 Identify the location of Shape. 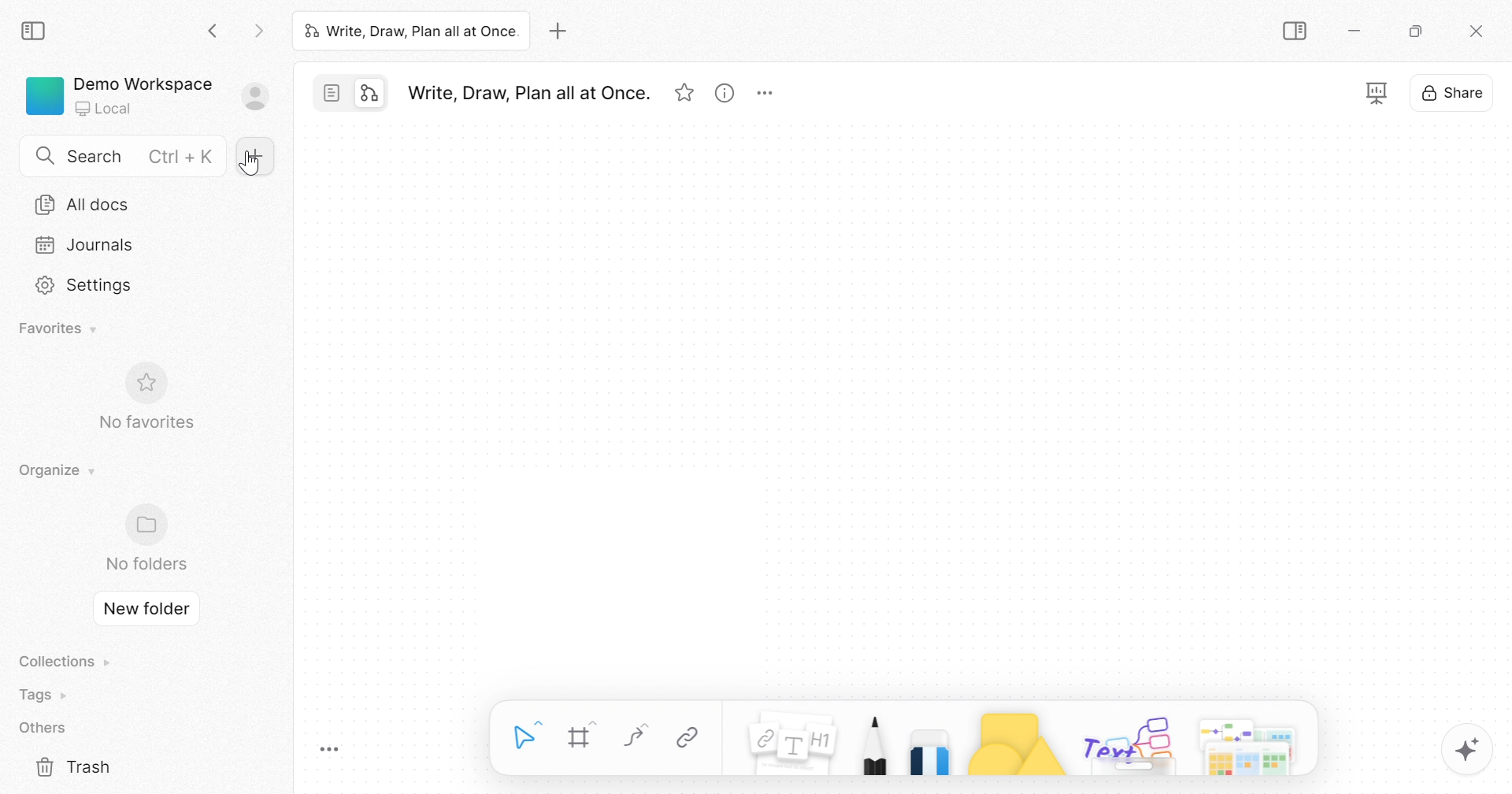
(1014, 740).